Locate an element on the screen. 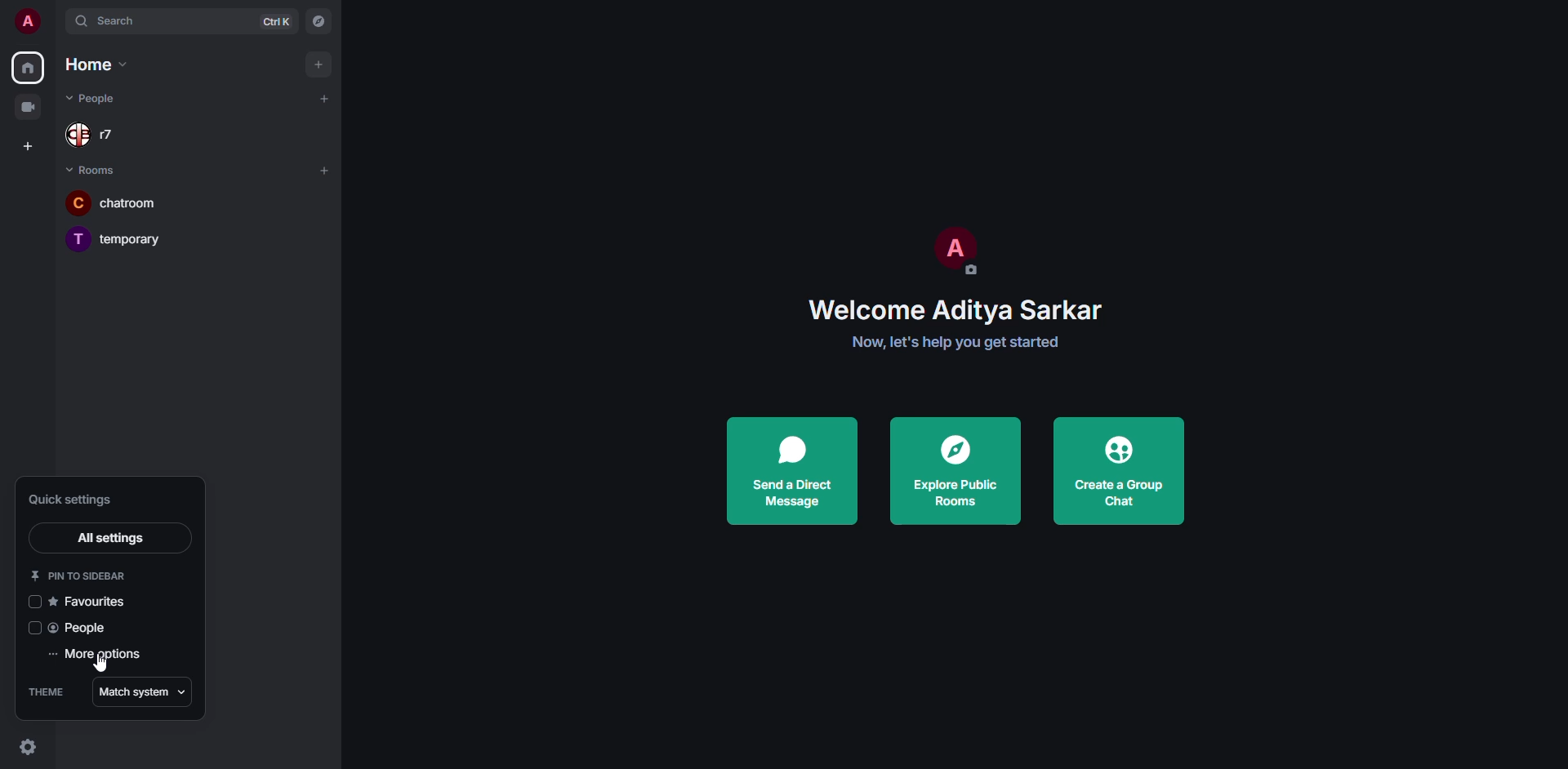 The image size is (1568, 769). r7 is located at coordinates (96, 137).